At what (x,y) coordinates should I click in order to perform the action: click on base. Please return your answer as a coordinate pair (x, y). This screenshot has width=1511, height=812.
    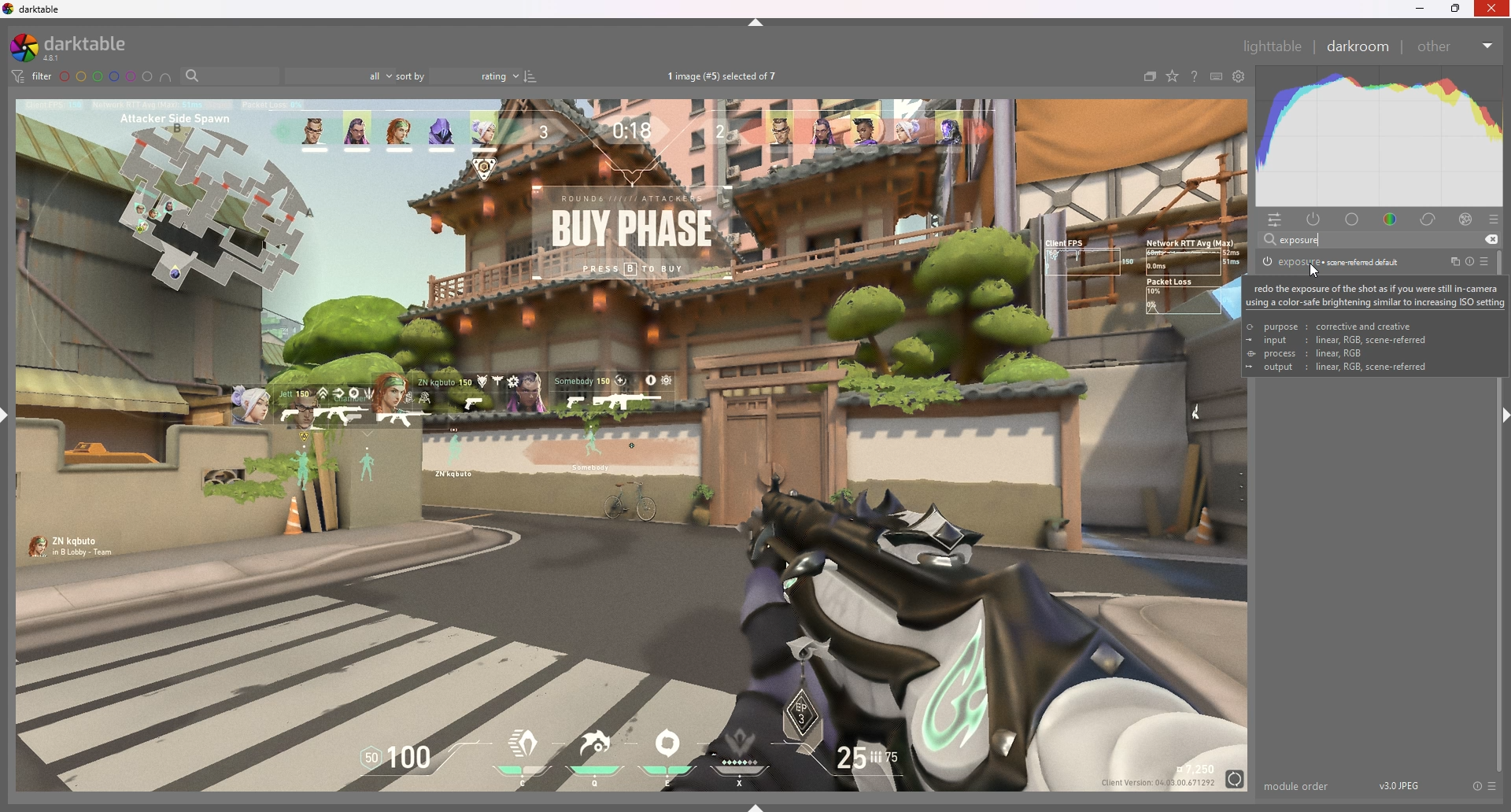
    Looking at the image, I should click on (1353, 220).